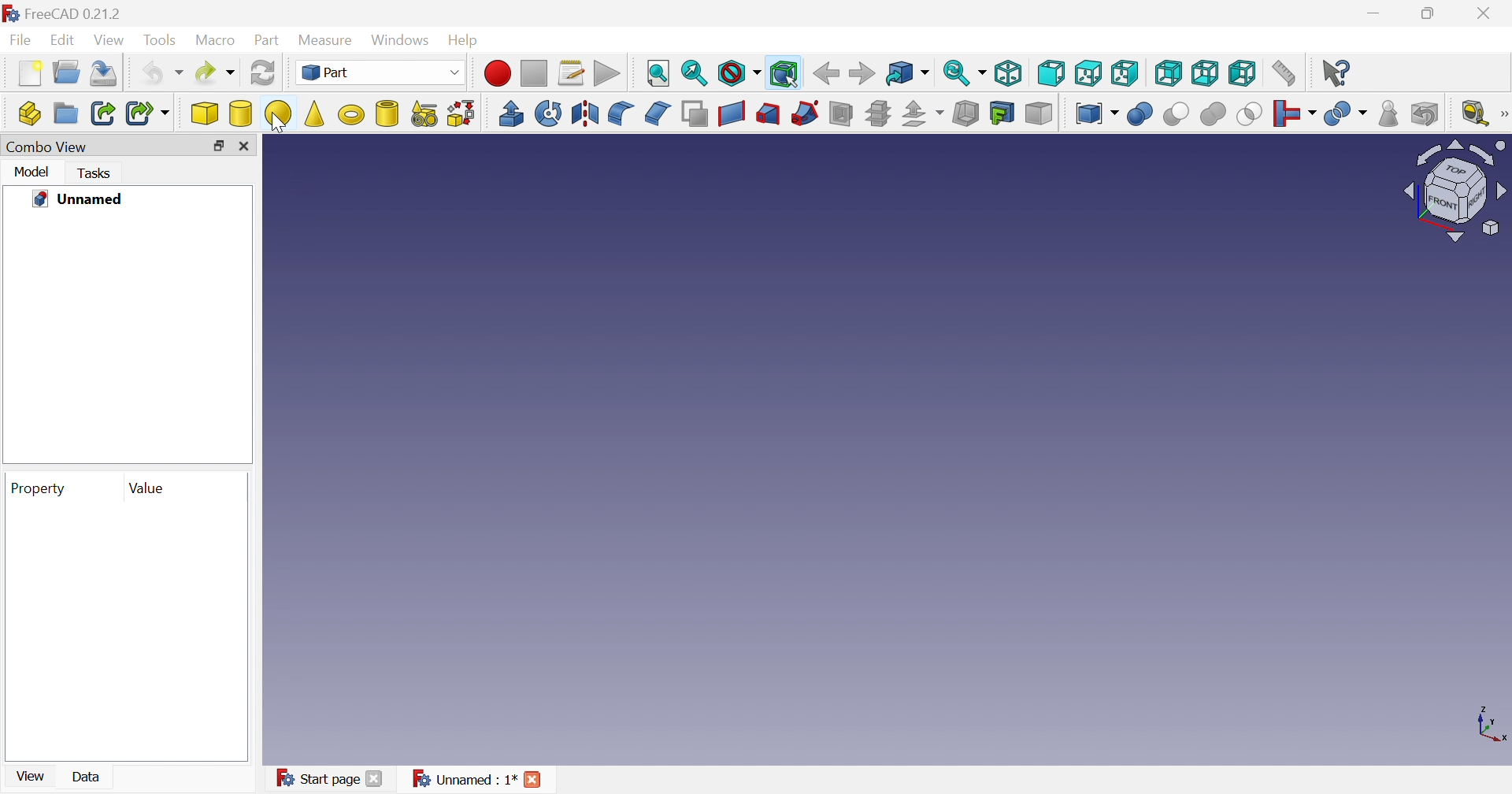 This screenshot has height=794, width=1512. I want to click on Mirroring, so click(588, 115).